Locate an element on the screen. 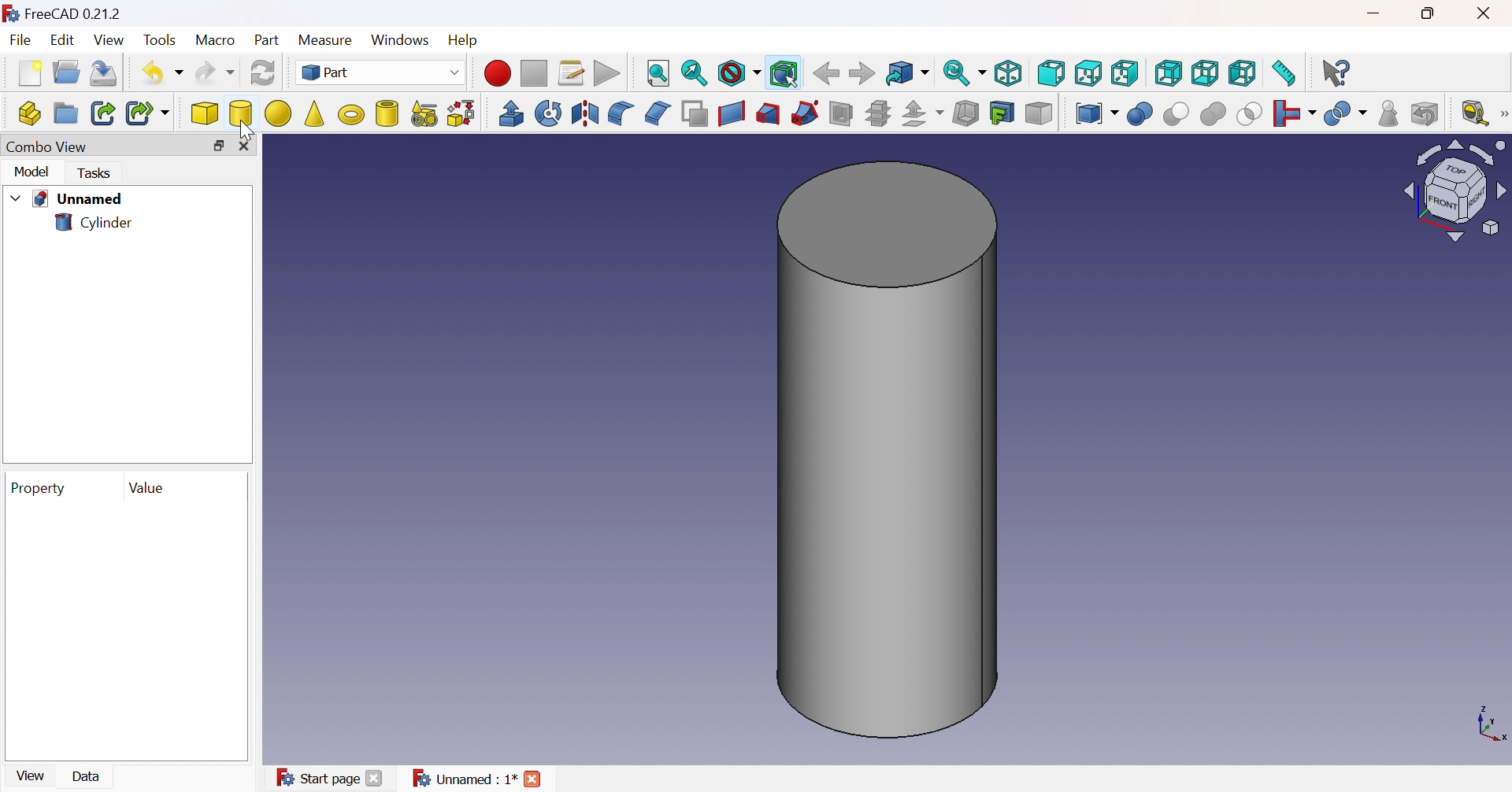 This screenshot has width=1512, height=792. Union is located at coordinates (1214, 115).